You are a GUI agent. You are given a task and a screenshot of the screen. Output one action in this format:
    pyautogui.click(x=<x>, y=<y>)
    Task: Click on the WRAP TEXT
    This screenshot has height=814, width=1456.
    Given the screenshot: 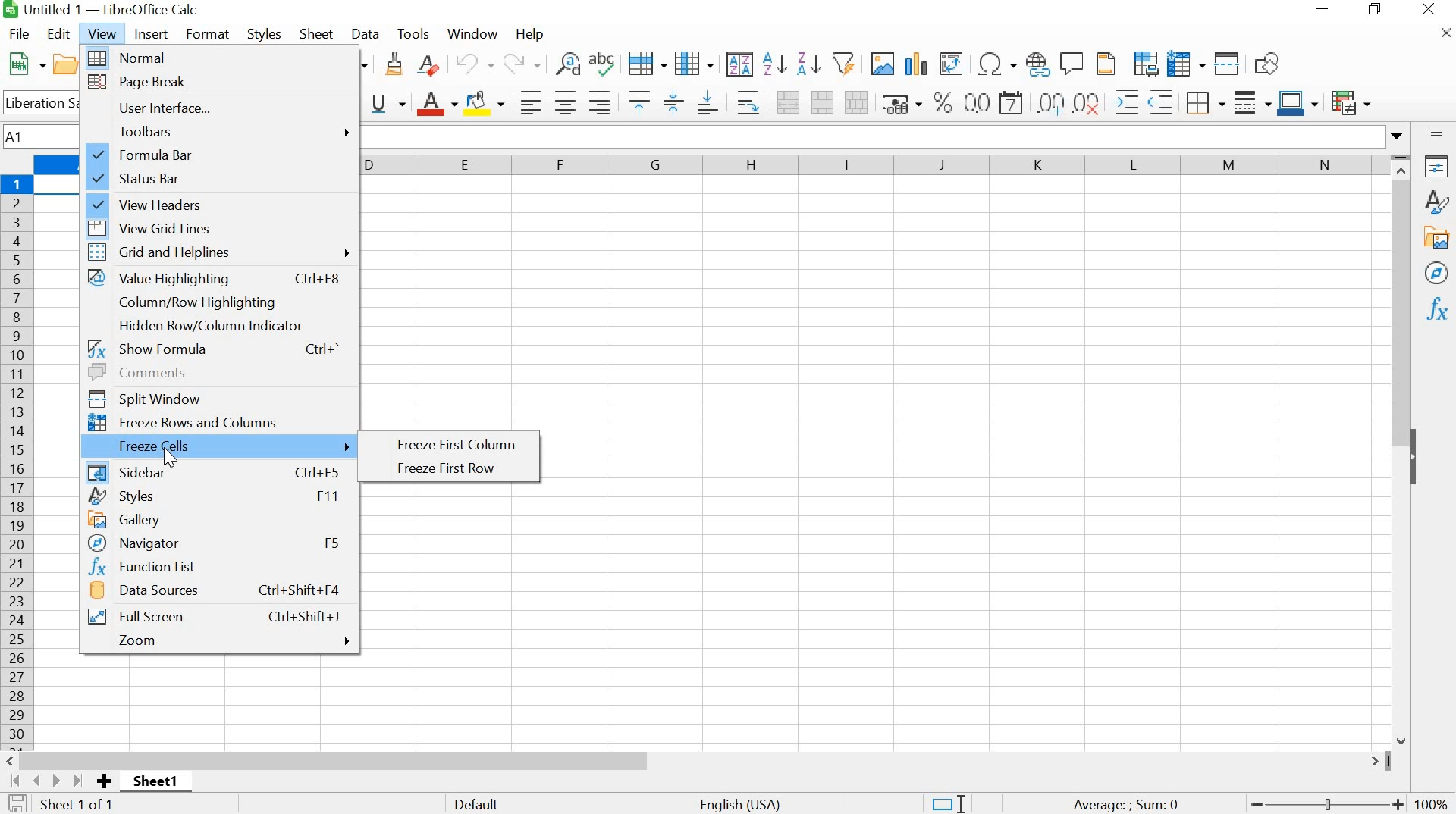 What is the action you would take?
    pyautogui.click(x=745, y=102)
    